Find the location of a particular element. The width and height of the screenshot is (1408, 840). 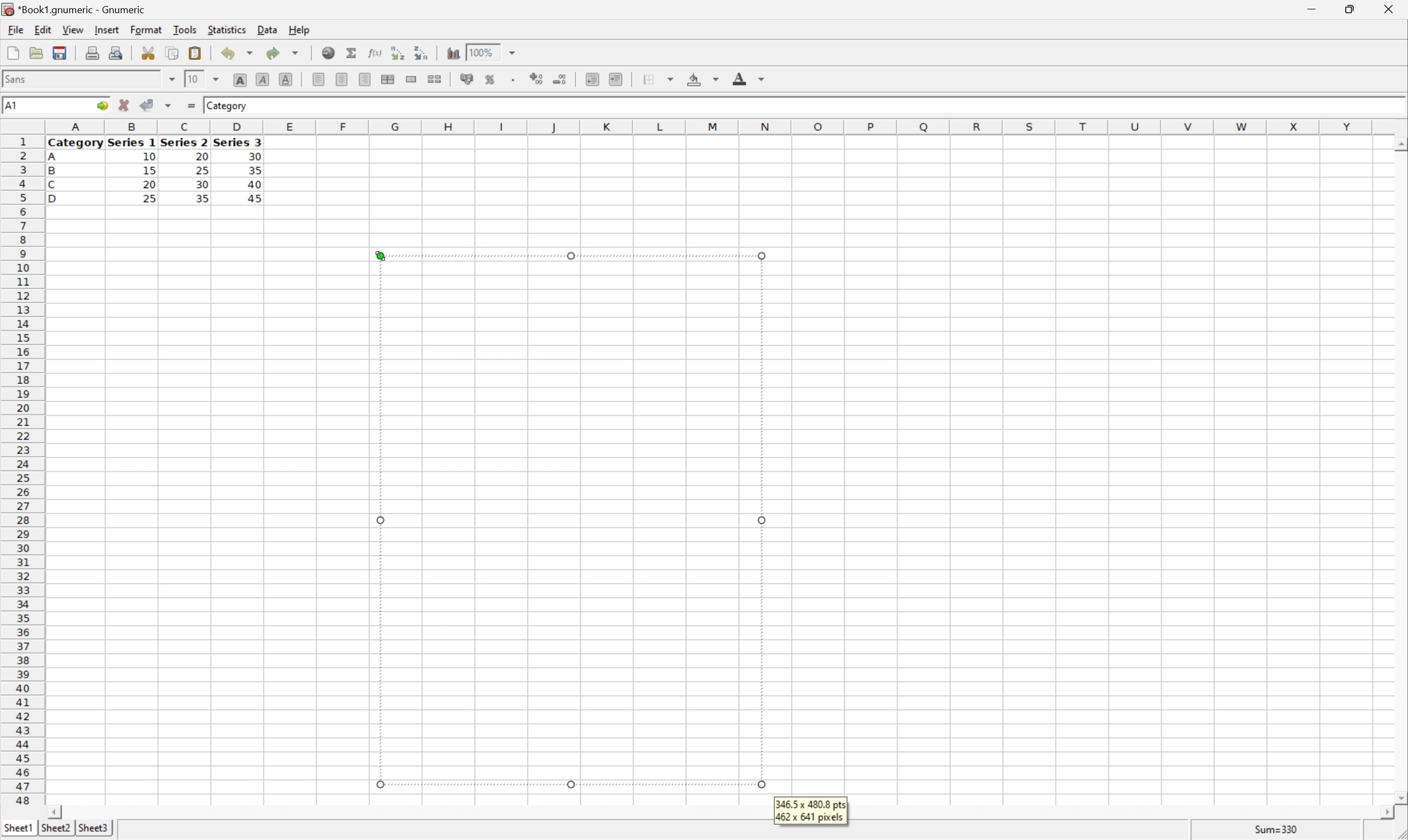

Center horizontally across selection is located at coordinates (387, 78).